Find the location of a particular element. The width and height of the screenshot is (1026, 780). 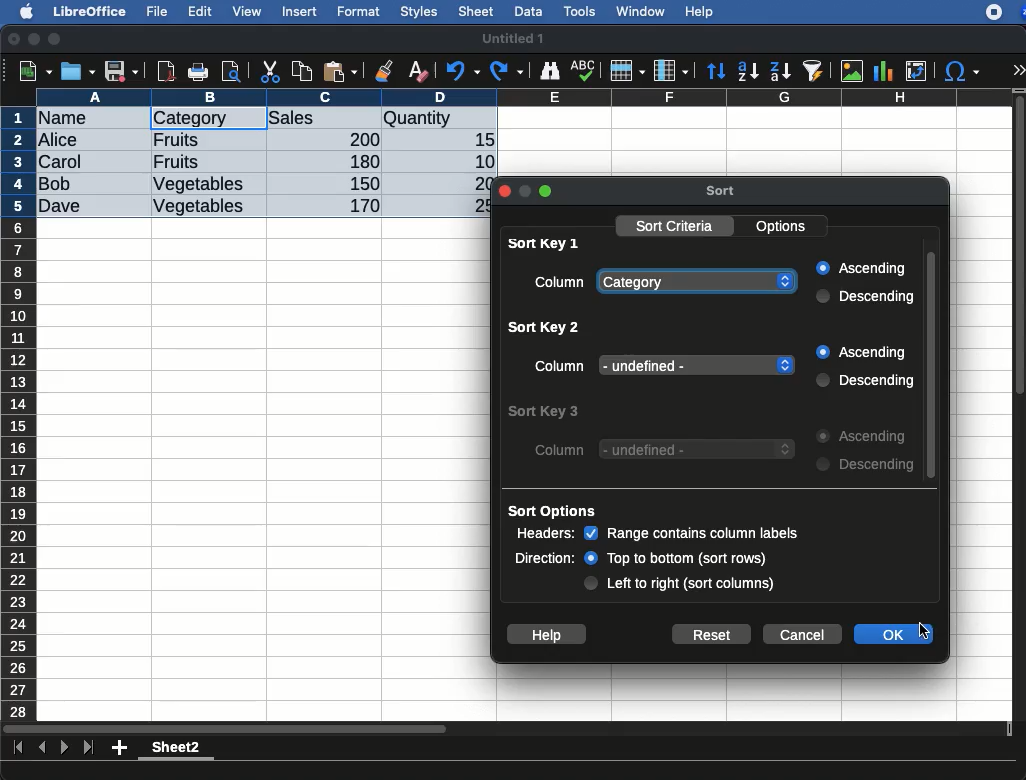

data is located at coordinates (528, 9).